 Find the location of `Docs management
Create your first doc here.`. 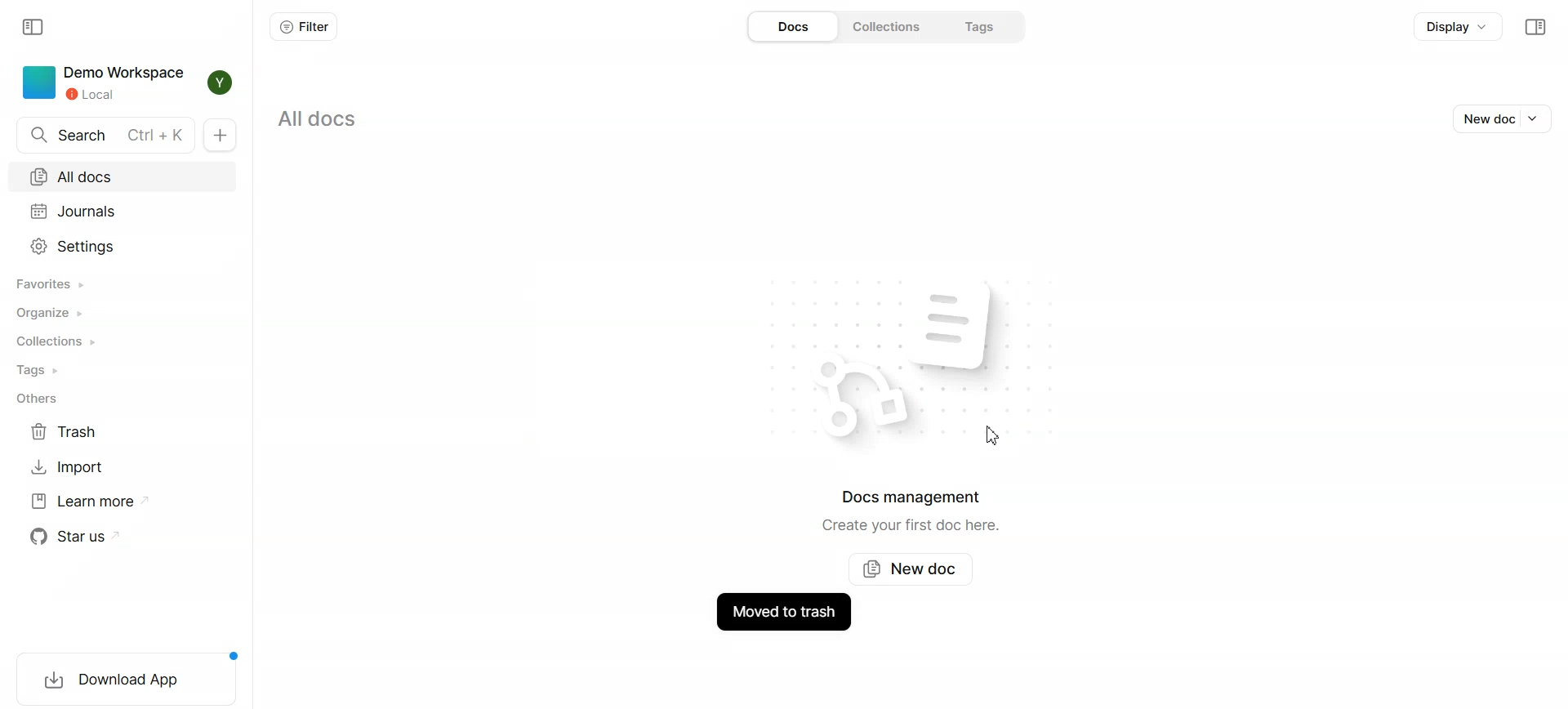

Docs management
Create your first doc here. is located at coordinates (933, 506).